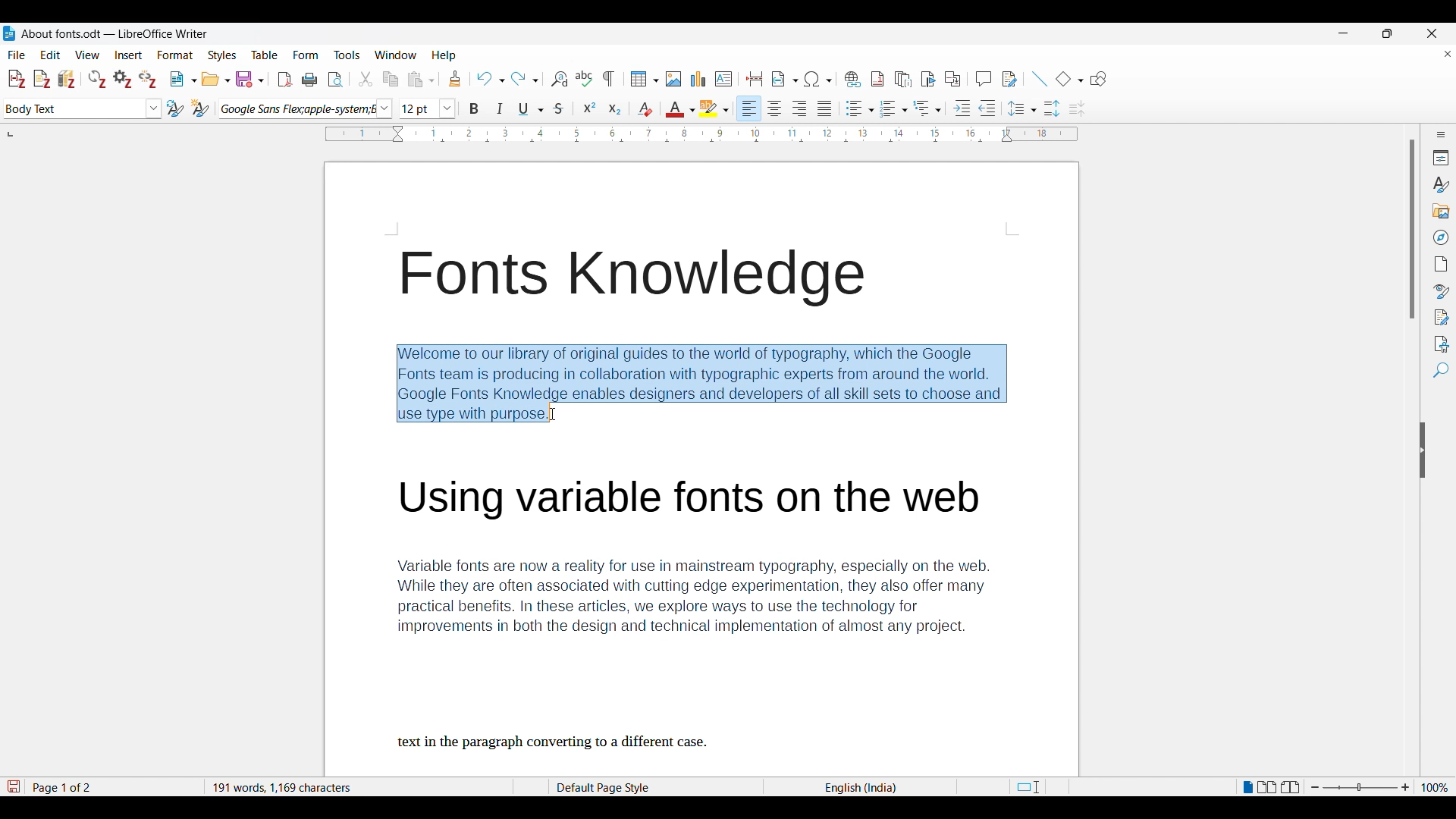 Image resolution: width=1456 pixels, height=819 pixels. I want to click on Clone formatting, so click(455, 78).